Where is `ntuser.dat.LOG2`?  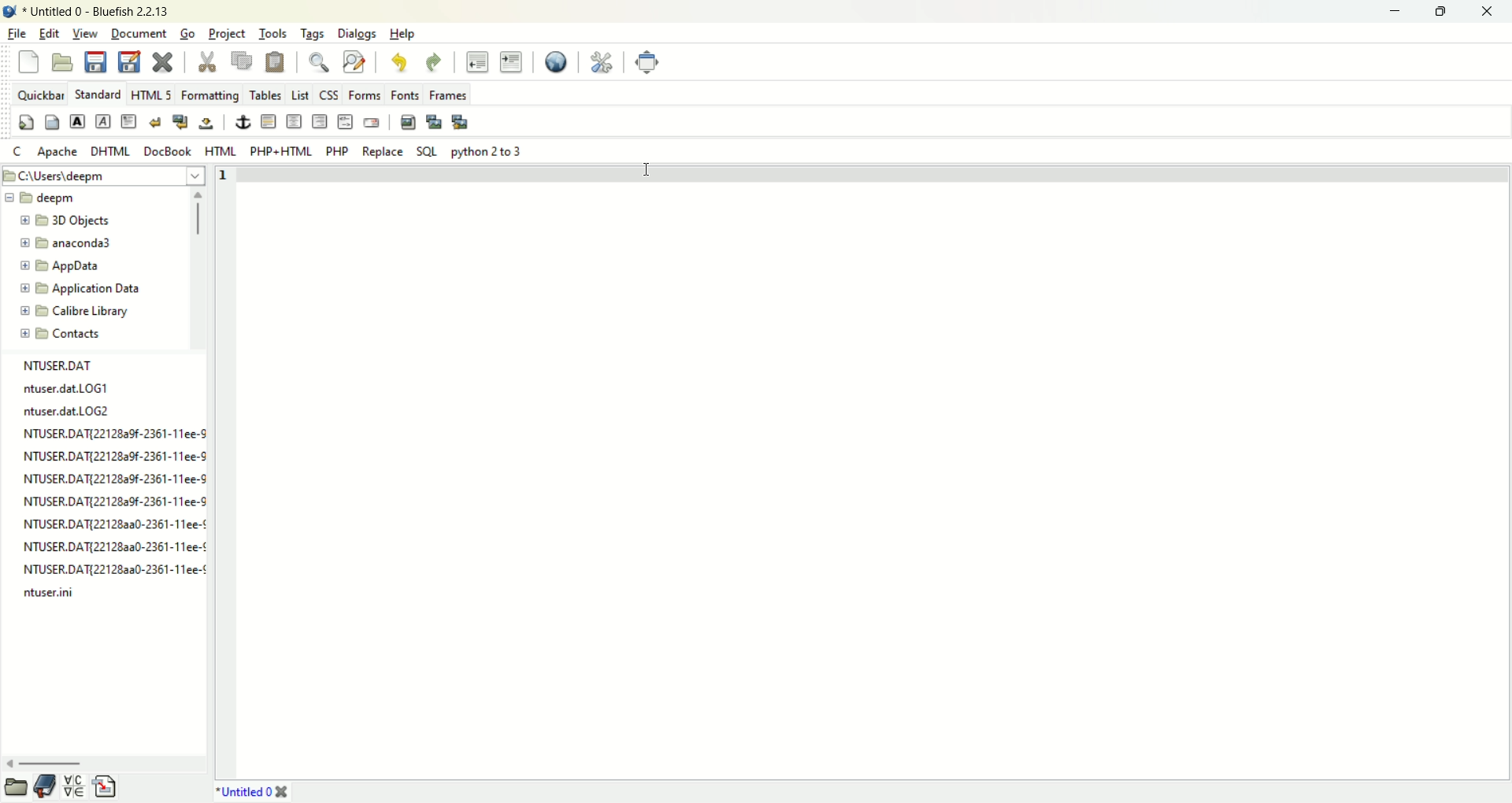
ntuser.dat.LOG2 is located at coordinates (67, 406).